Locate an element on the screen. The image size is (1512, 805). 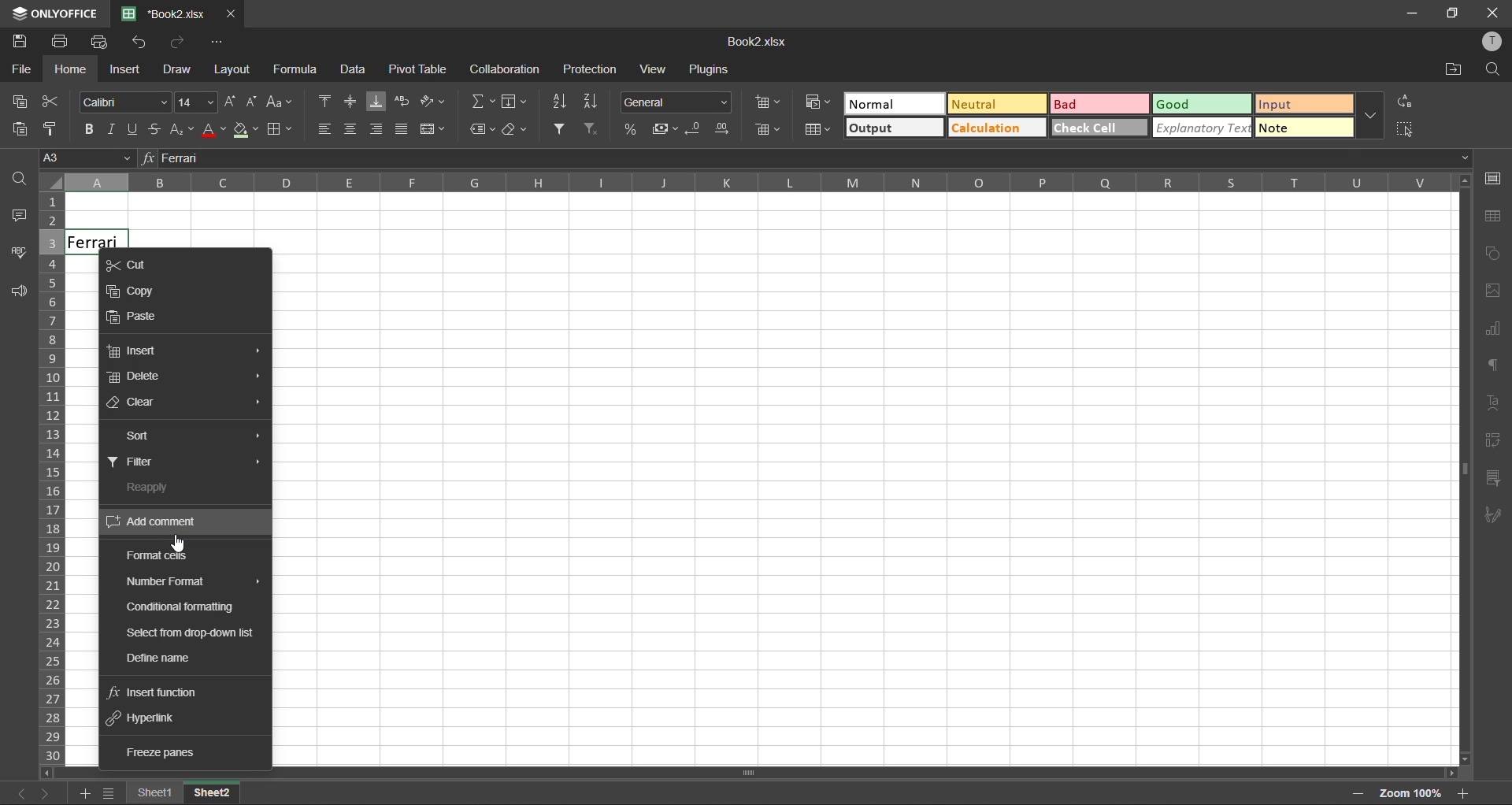
home is located at coordinates (73, 69).